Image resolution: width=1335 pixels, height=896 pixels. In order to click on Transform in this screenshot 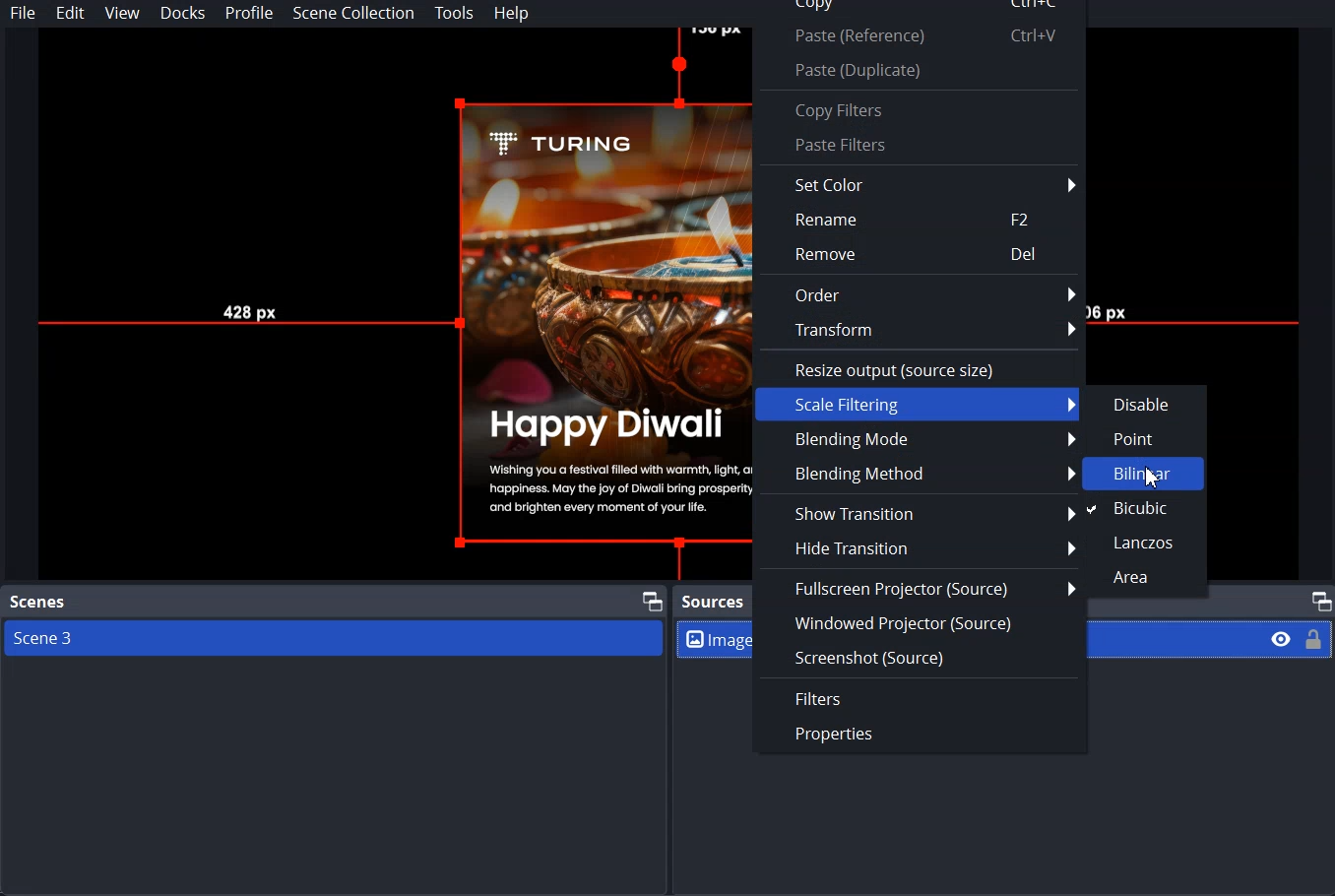, I will do `click(922, 331)`.